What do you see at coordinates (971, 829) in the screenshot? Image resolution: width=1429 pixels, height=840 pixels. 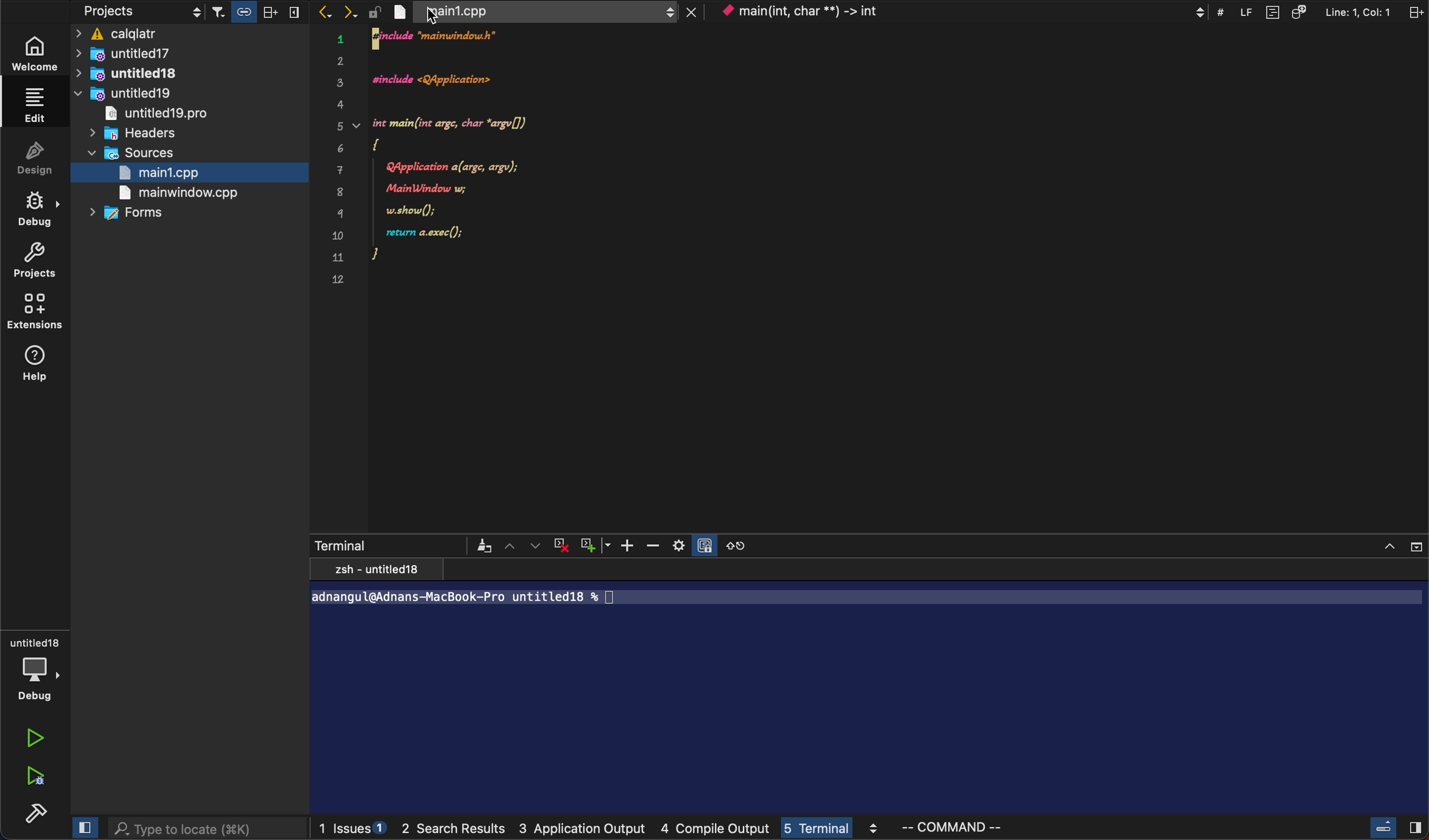 I see `command` at bounding box center [971, 829].